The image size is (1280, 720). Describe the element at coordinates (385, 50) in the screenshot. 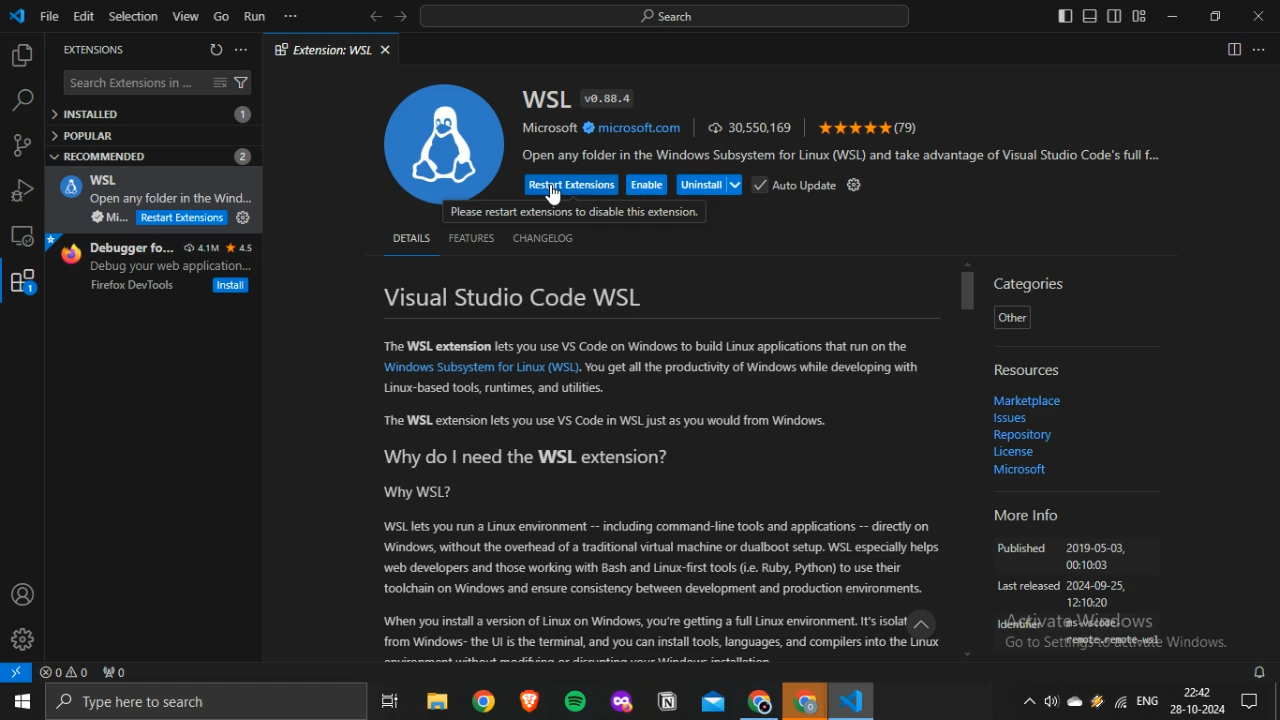

I see `close` at that location.